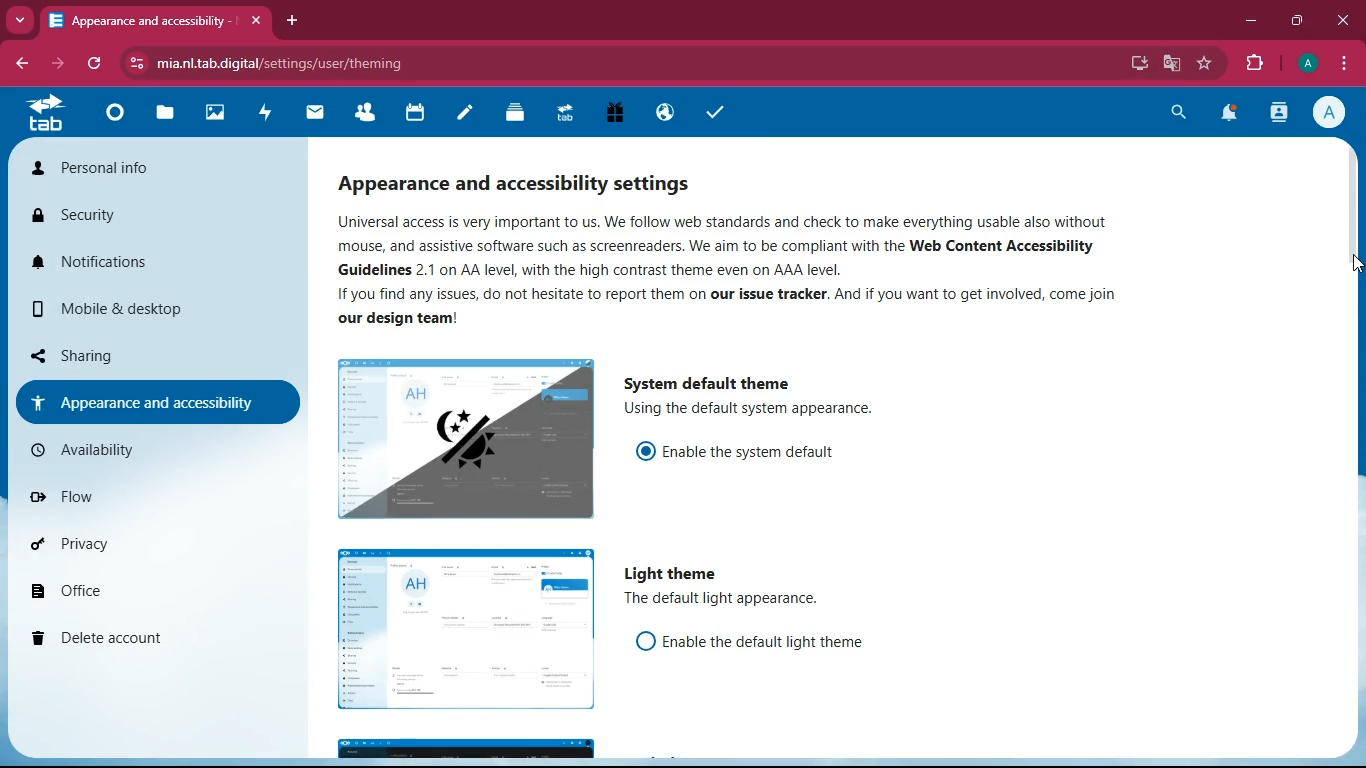 The image size is (1366, 768). What do you see at coordinates (520, 179) in the screenshot?
I see `appearance and accessibility  settings` at bounding box center [520, 179].